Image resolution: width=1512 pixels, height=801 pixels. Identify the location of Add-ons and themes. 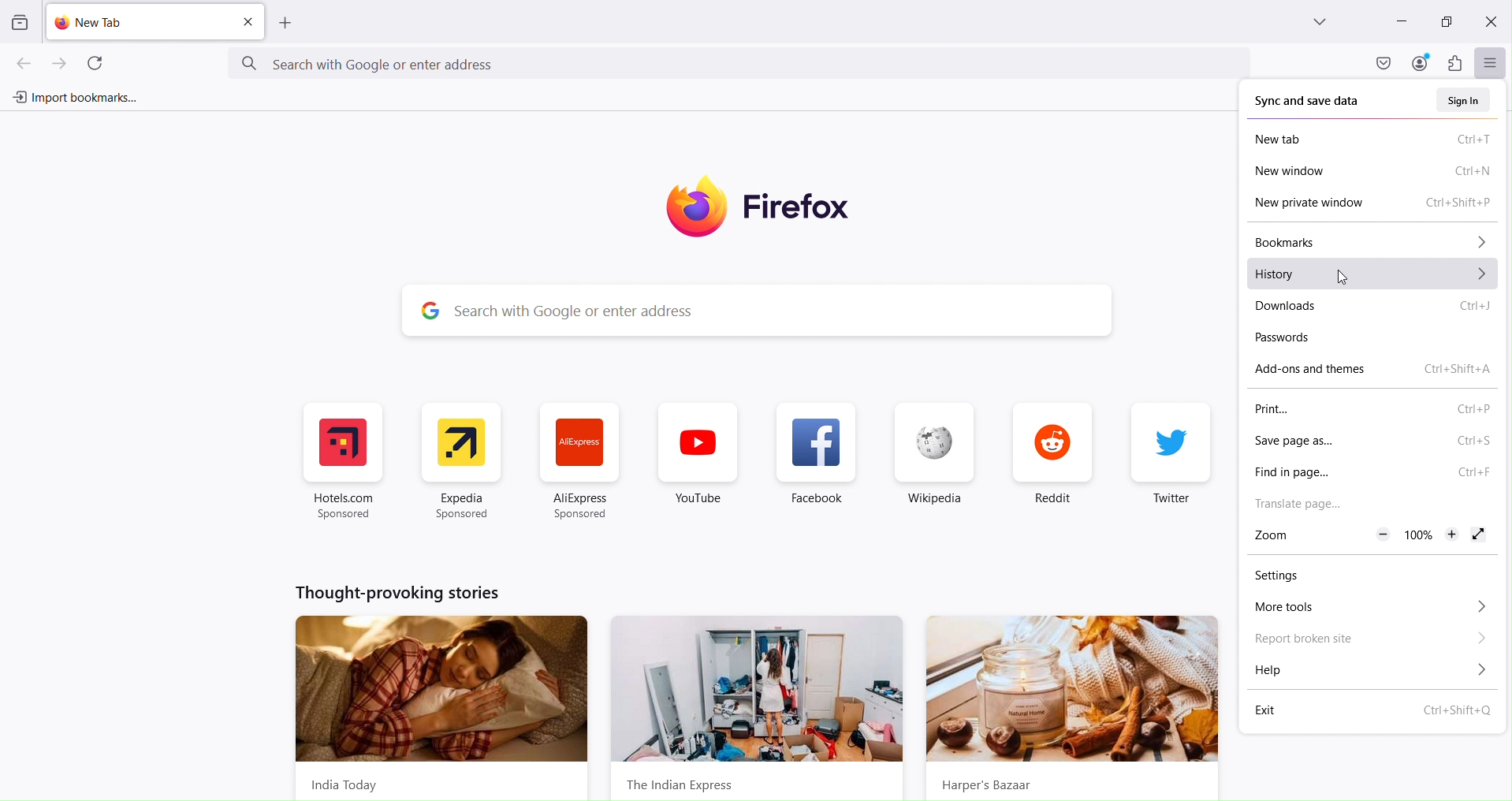
(1378, 371).